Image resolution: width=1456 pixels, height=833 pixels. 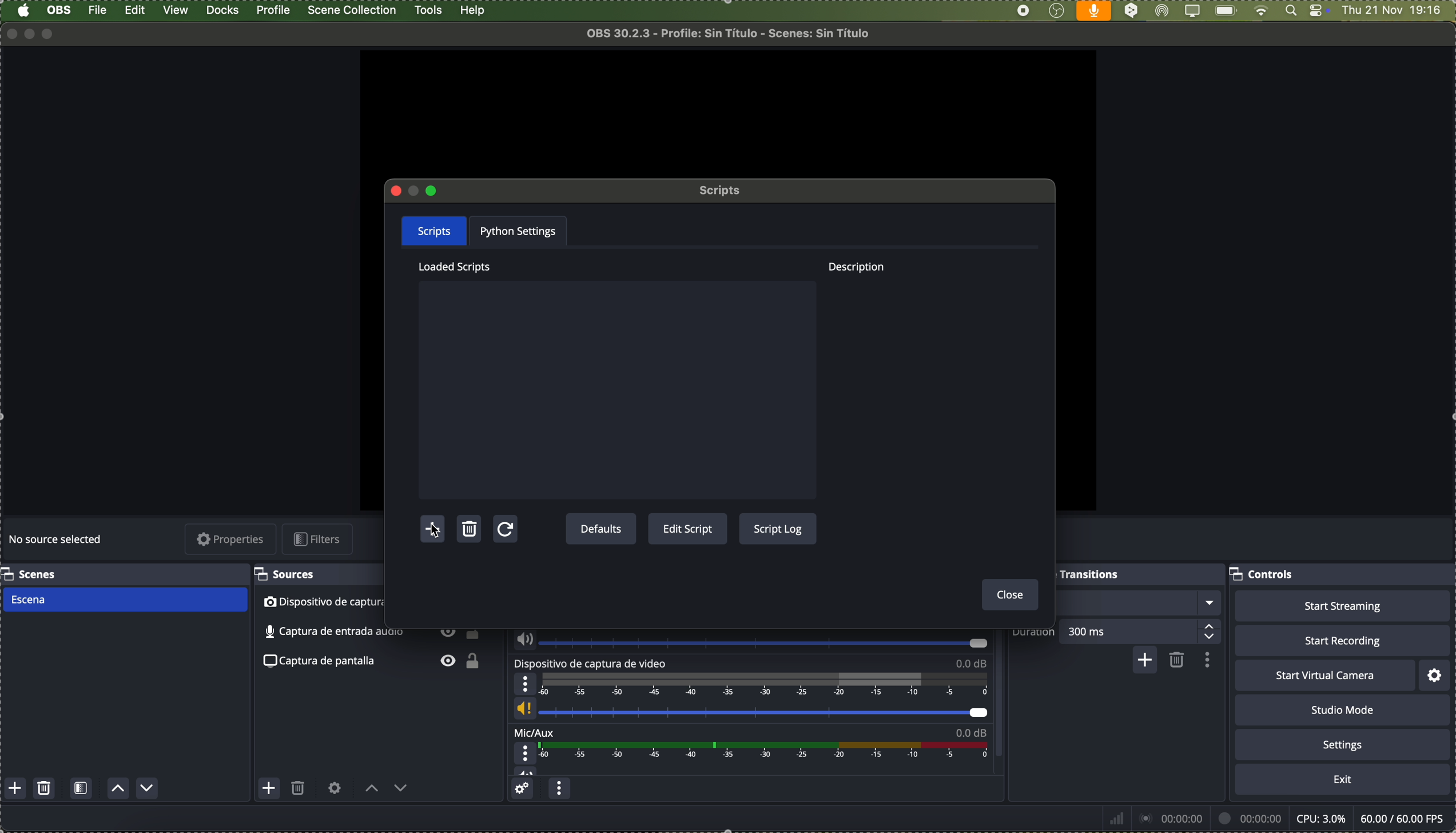 What do you see at coordinates (57, 541) in the screenshot?
I see `no source selected` at bounding box center [57, 541].